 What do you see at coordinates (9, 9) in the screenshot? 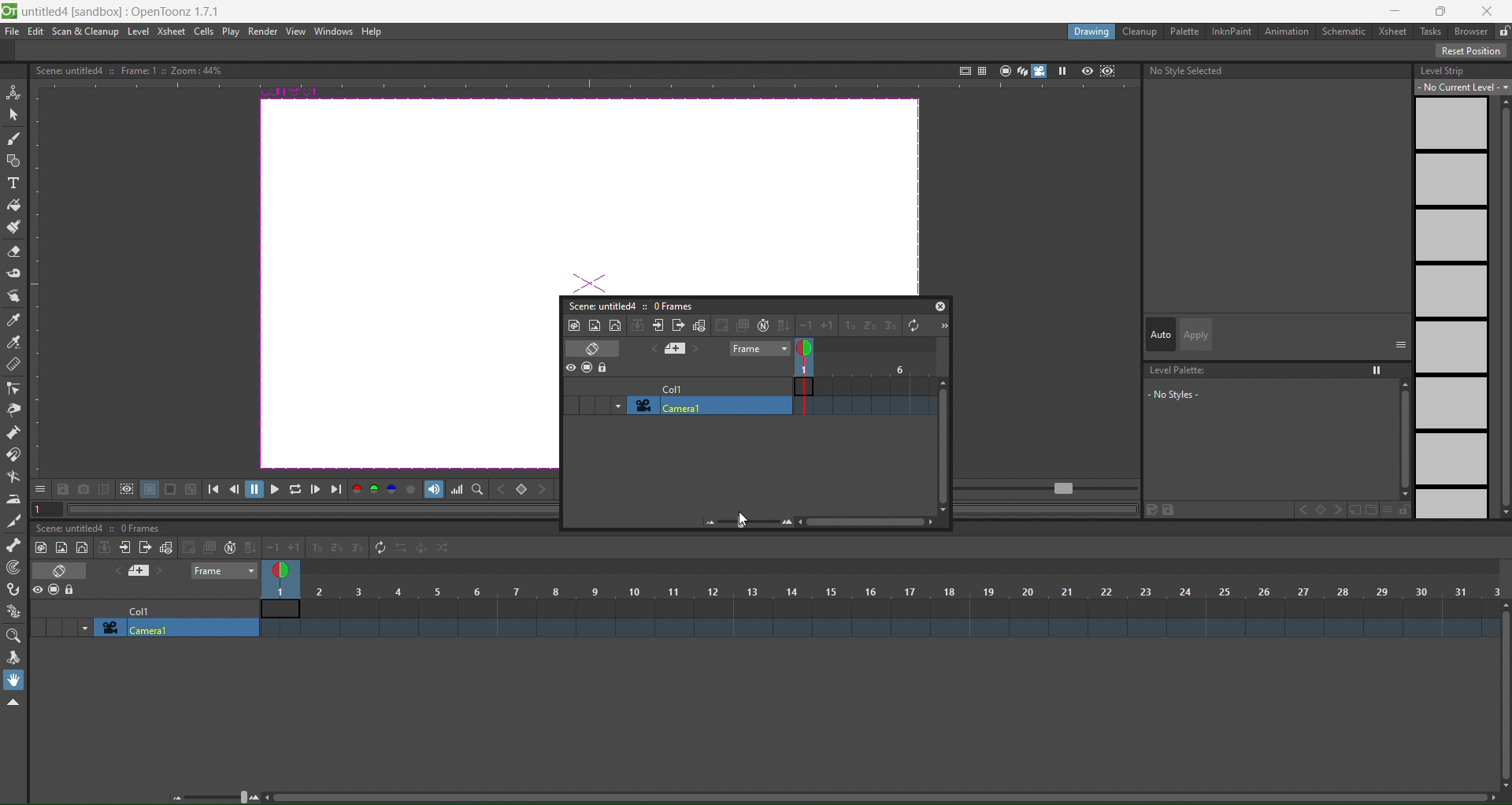
I see `logo` at bounding box center [9, 9].